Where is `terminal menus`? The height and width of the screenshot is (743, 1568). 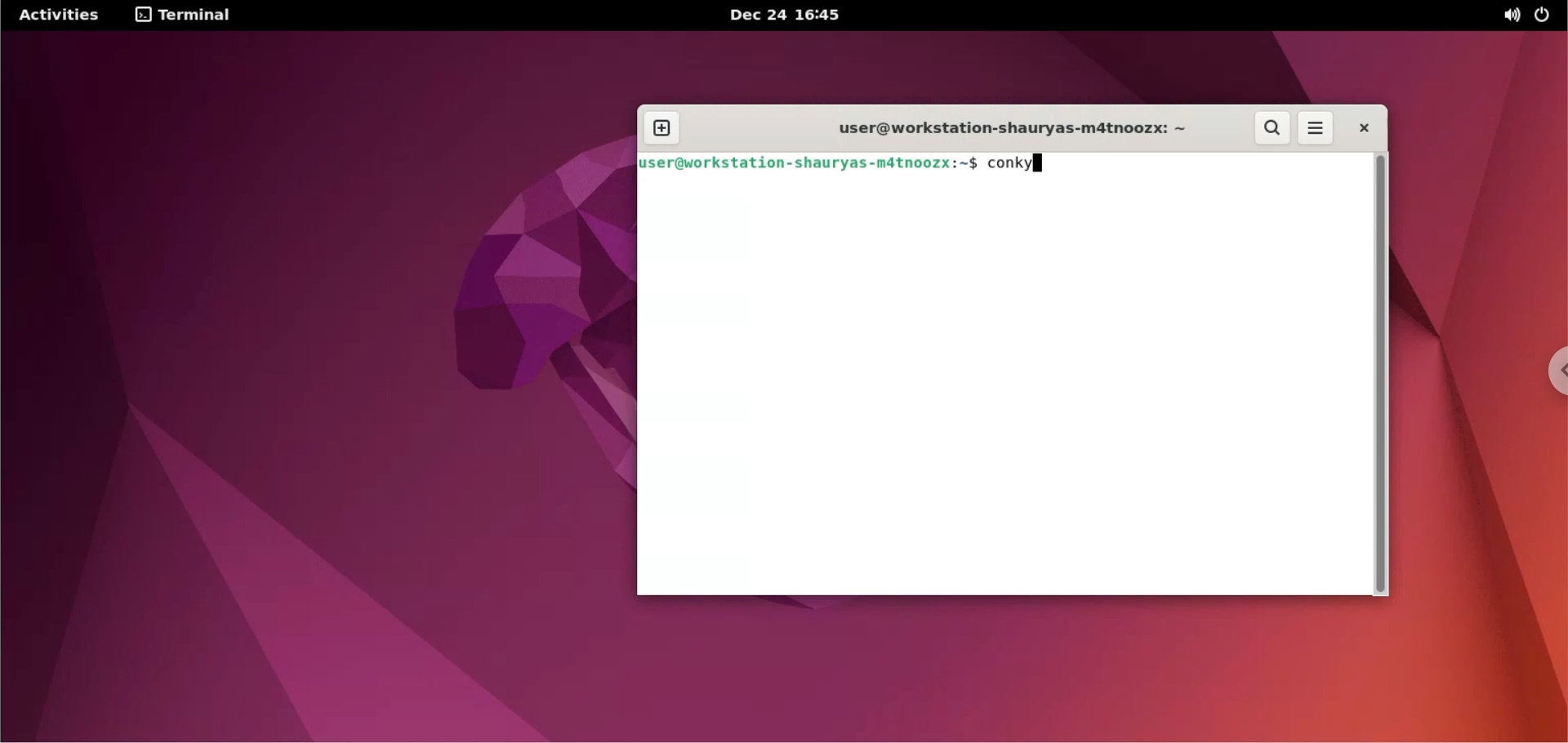 terminal menus is located at coordinates (1314, 129).